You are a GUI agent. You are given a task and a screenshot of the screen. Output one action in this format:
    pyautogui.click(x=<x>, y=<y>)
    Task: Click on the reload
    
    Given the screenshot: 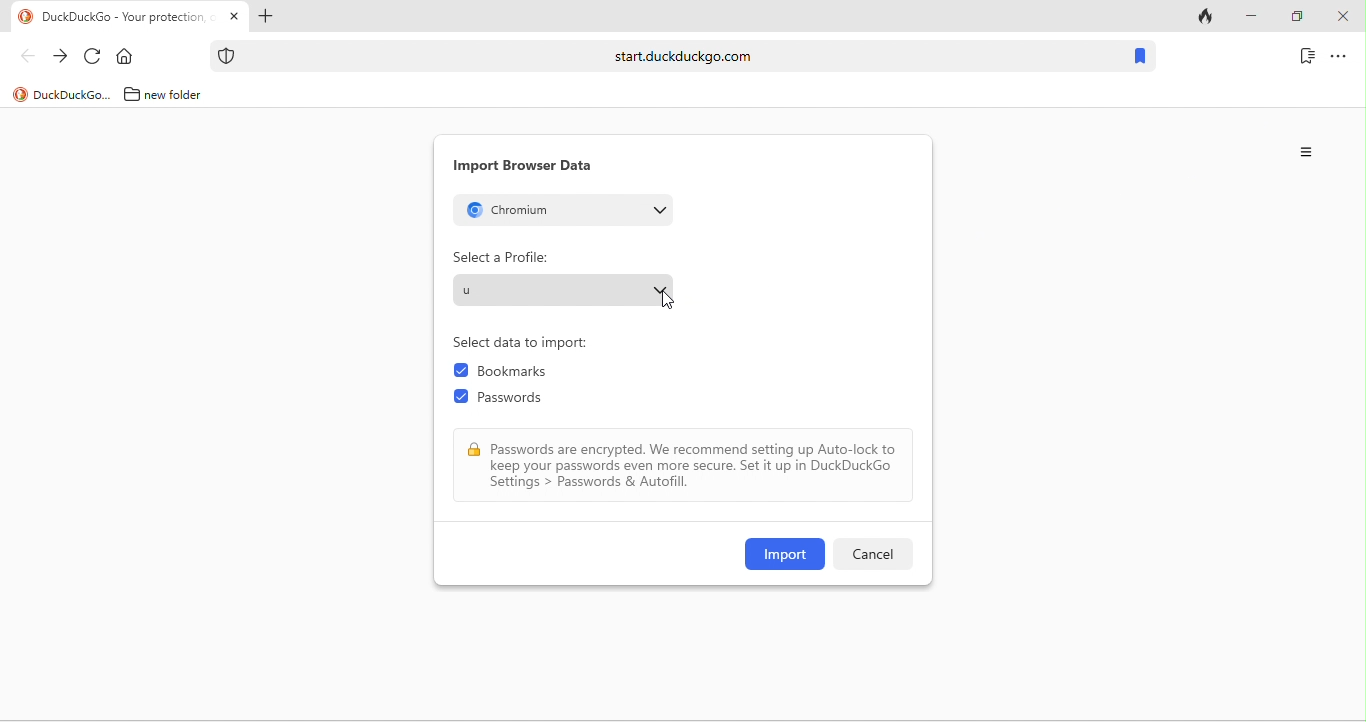 What is the action you would take?
    pyautogui.click(x=93, y=57)
    